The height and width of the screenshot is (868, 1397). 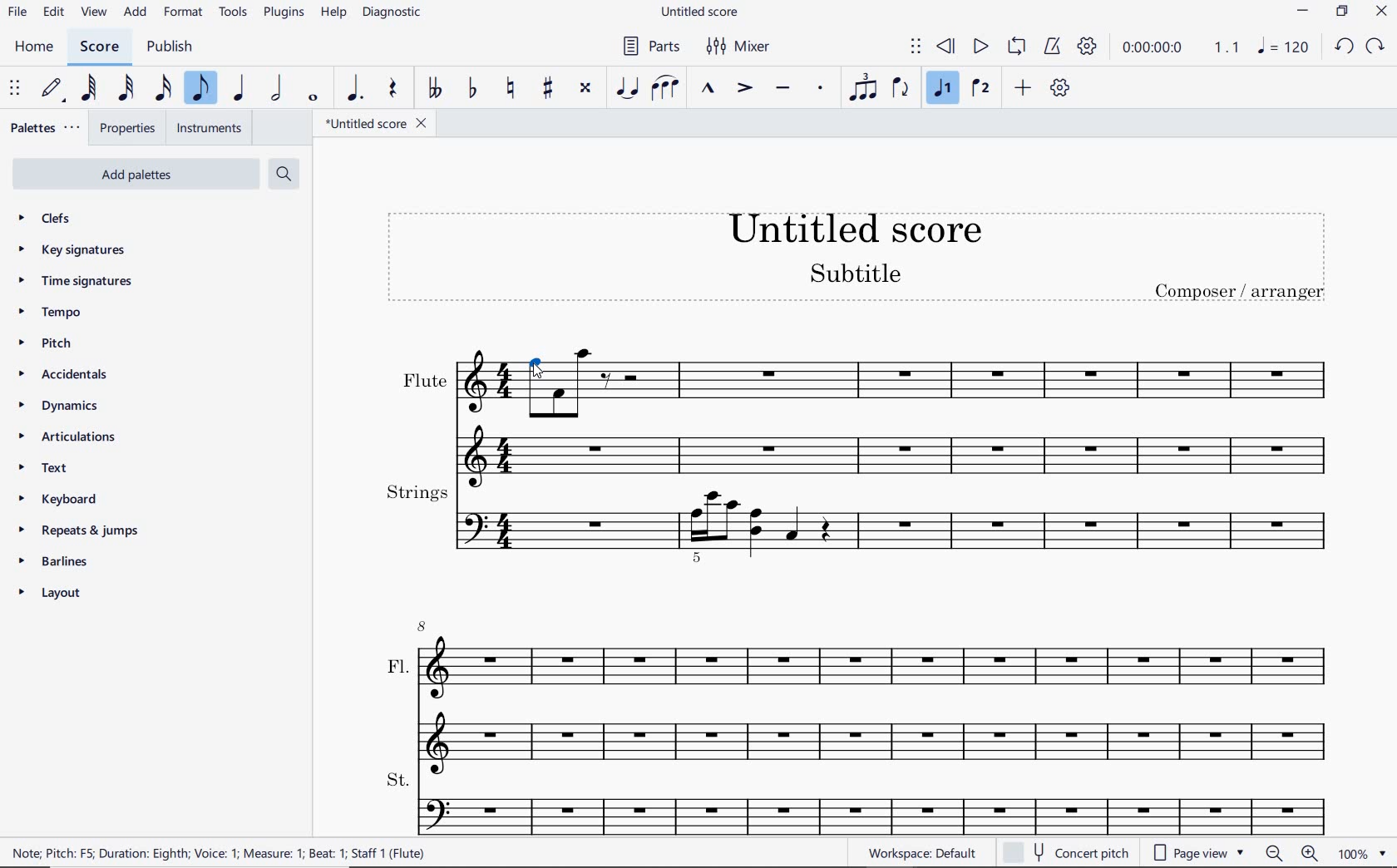 I want to click on zoom factor, so click(x=1364, y=853).